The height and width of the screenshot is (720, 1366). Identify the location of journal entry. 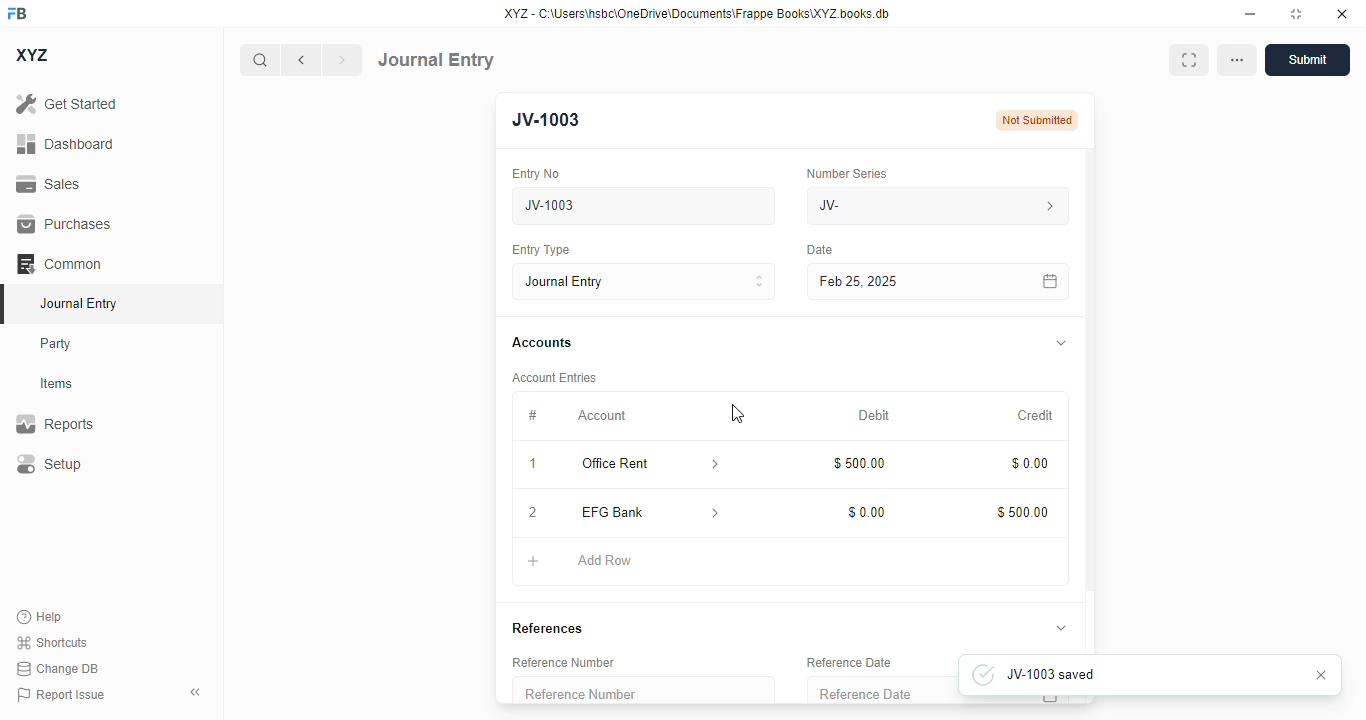
(436, 60).